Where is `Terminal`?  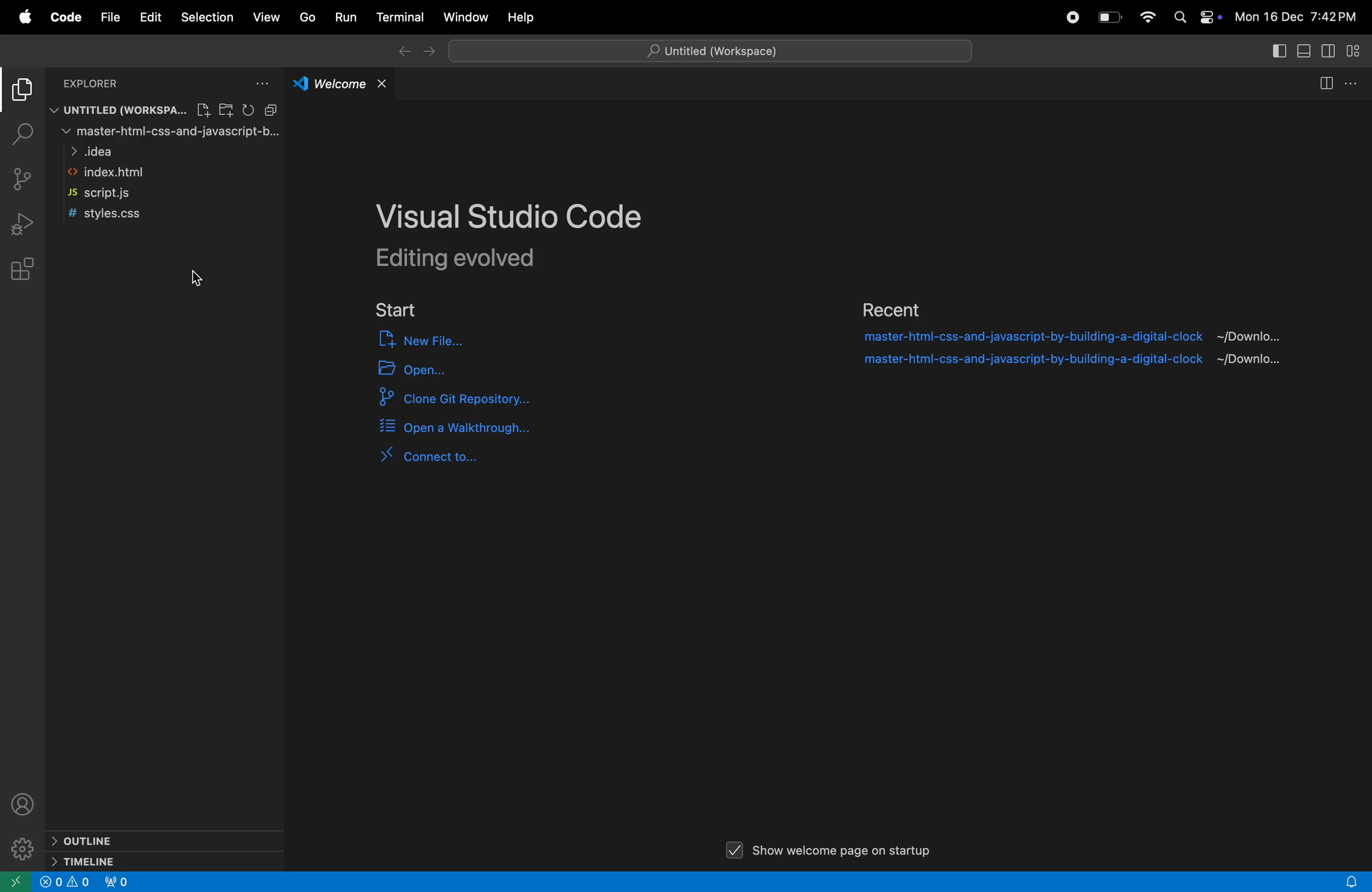 Terminal is located at coordinates (400, 17).